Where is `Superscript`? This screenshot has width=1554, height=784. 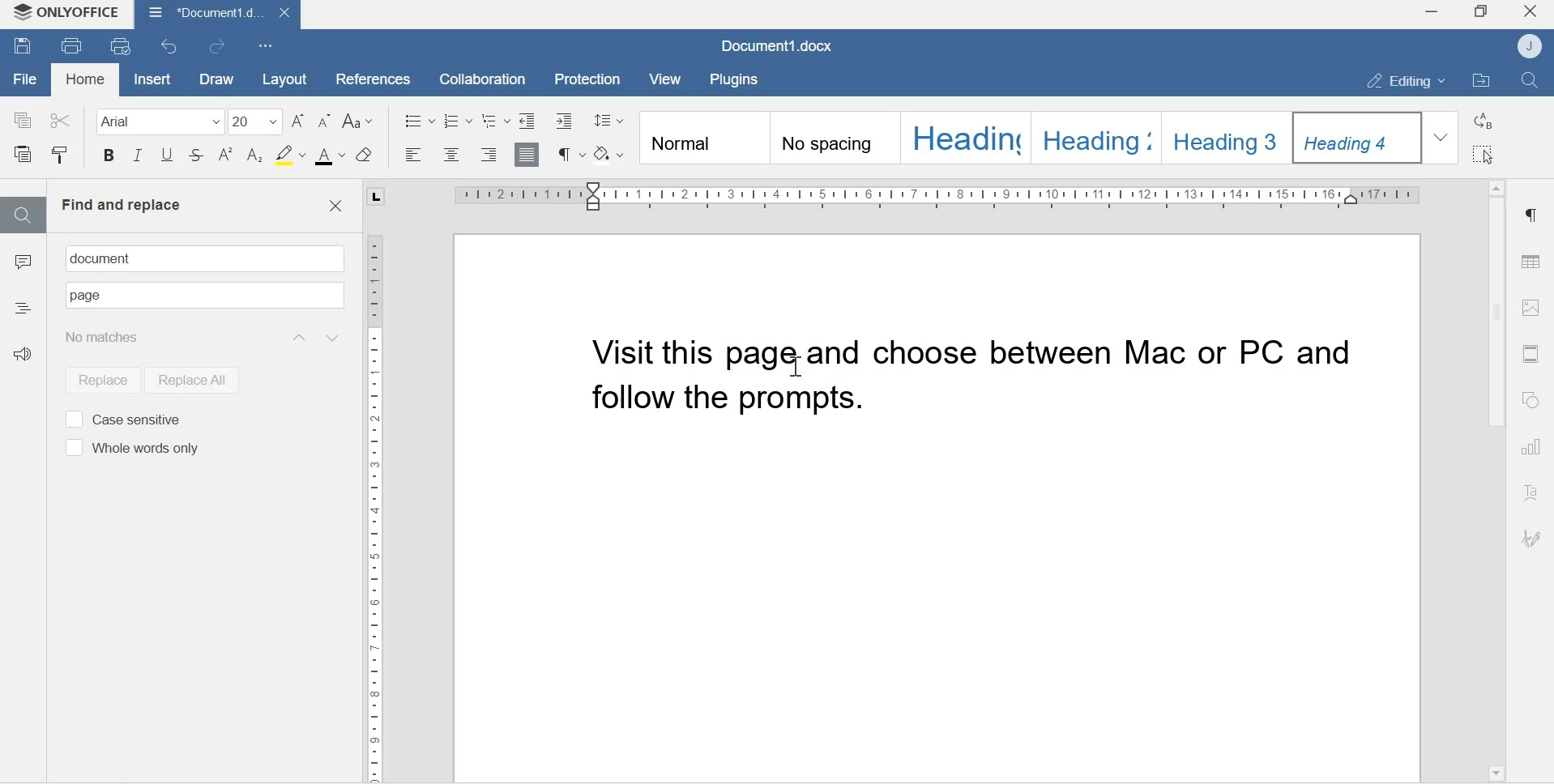 Superscript is located at coordinates (226, 156).